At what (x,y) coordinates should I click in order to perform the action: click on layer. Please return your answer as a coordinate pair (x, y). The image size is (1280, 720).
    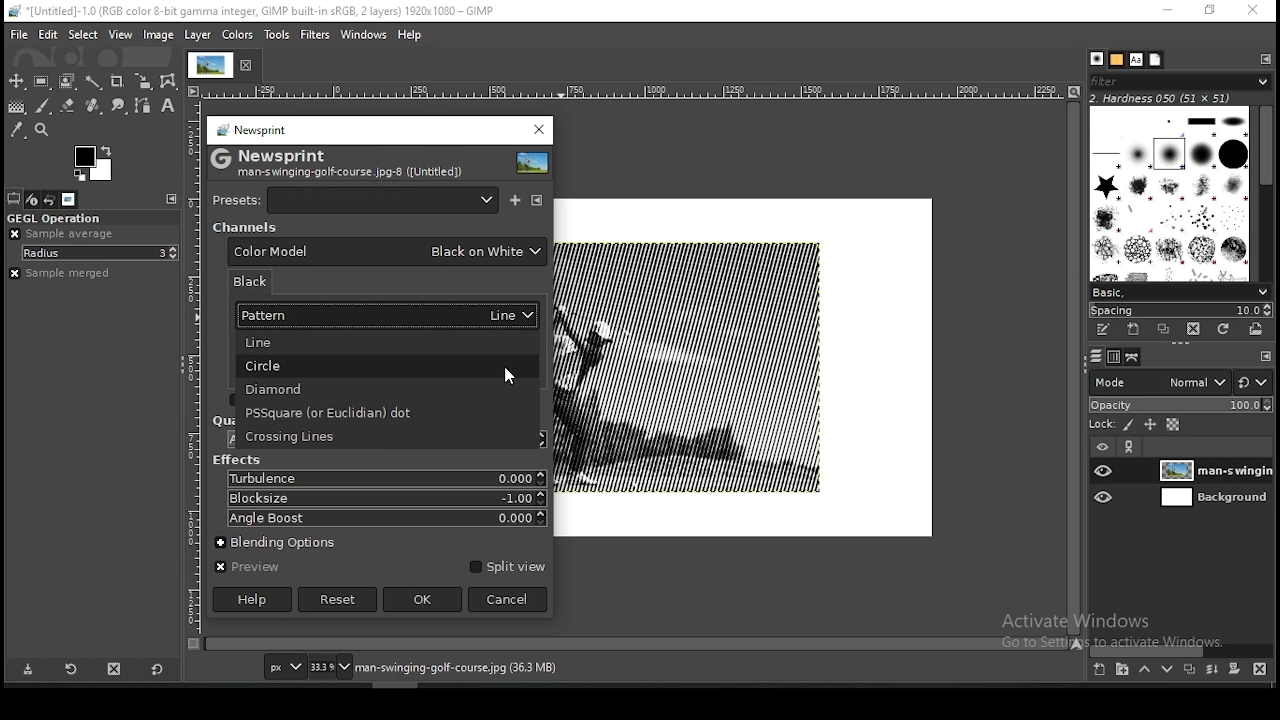
    Looking at the image, I should click on (200, 36).